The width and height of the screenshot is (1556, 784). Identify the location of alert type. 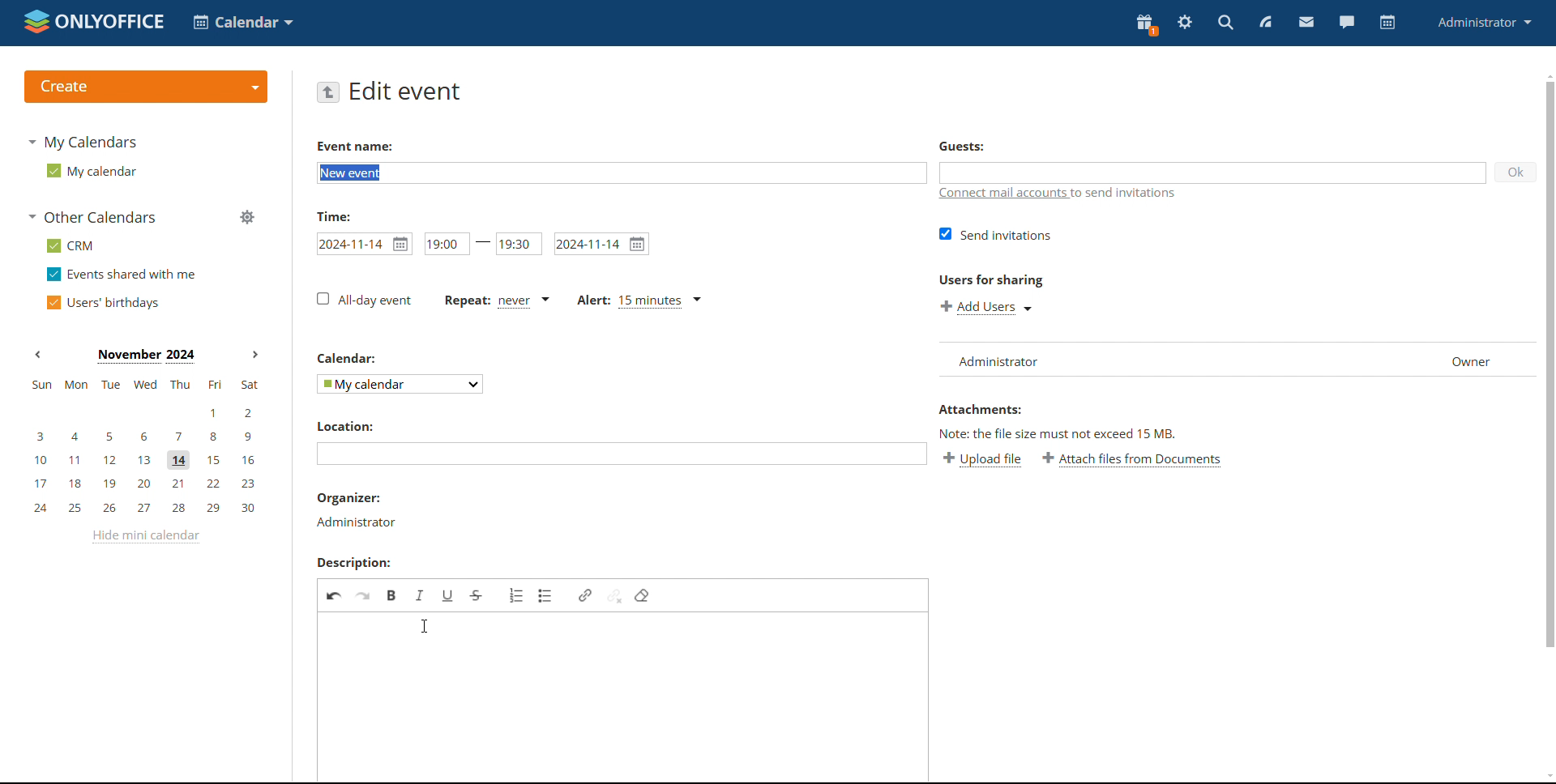
(639, 301).